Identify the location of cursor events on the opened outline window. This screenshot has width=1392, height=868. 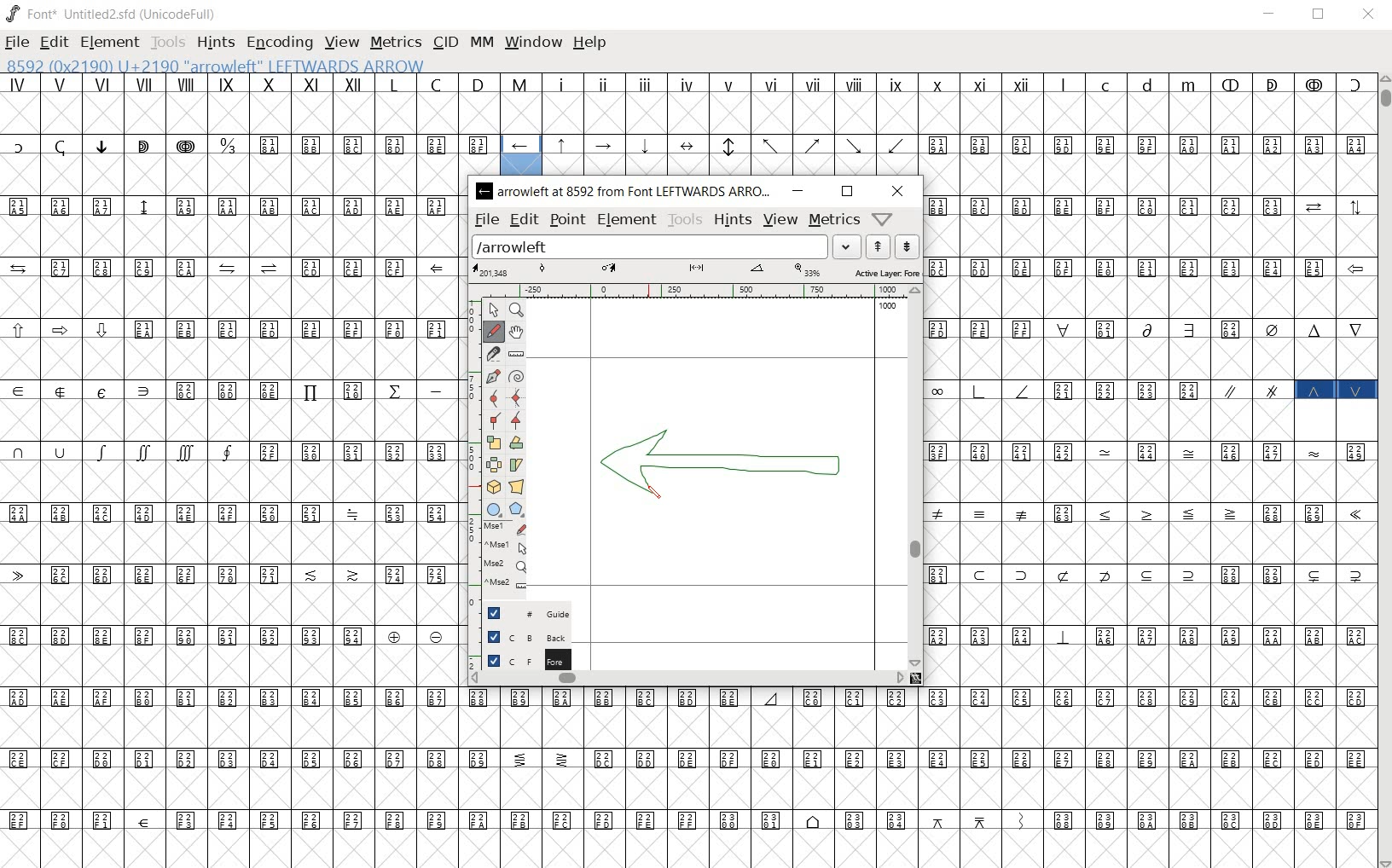
(500, 558).